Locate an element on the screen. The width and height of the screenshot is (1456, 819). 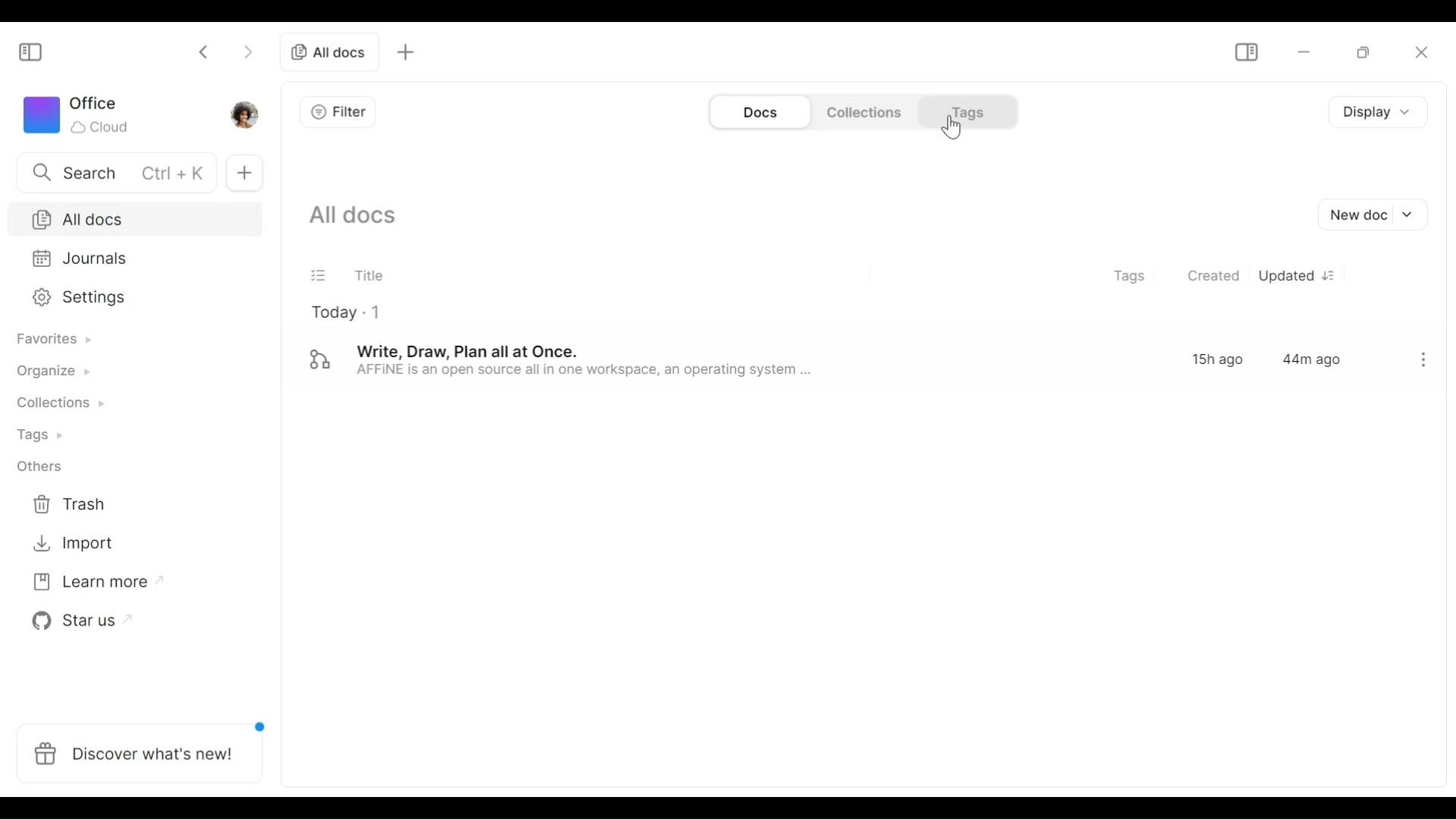
Display is located at coordinates (1373, 111).